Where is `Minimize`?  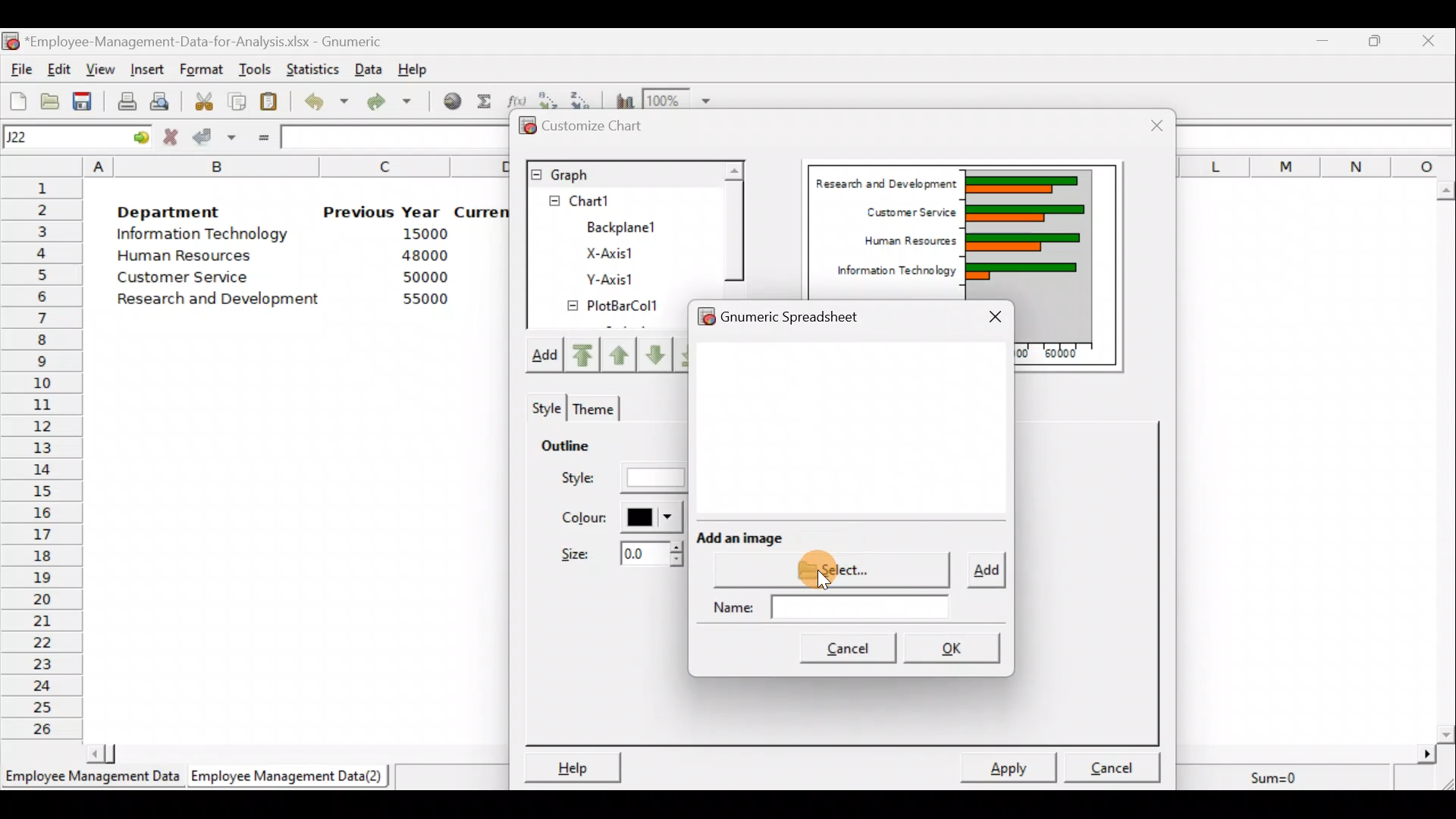
Minimize is located at coordinates (1323, 40).